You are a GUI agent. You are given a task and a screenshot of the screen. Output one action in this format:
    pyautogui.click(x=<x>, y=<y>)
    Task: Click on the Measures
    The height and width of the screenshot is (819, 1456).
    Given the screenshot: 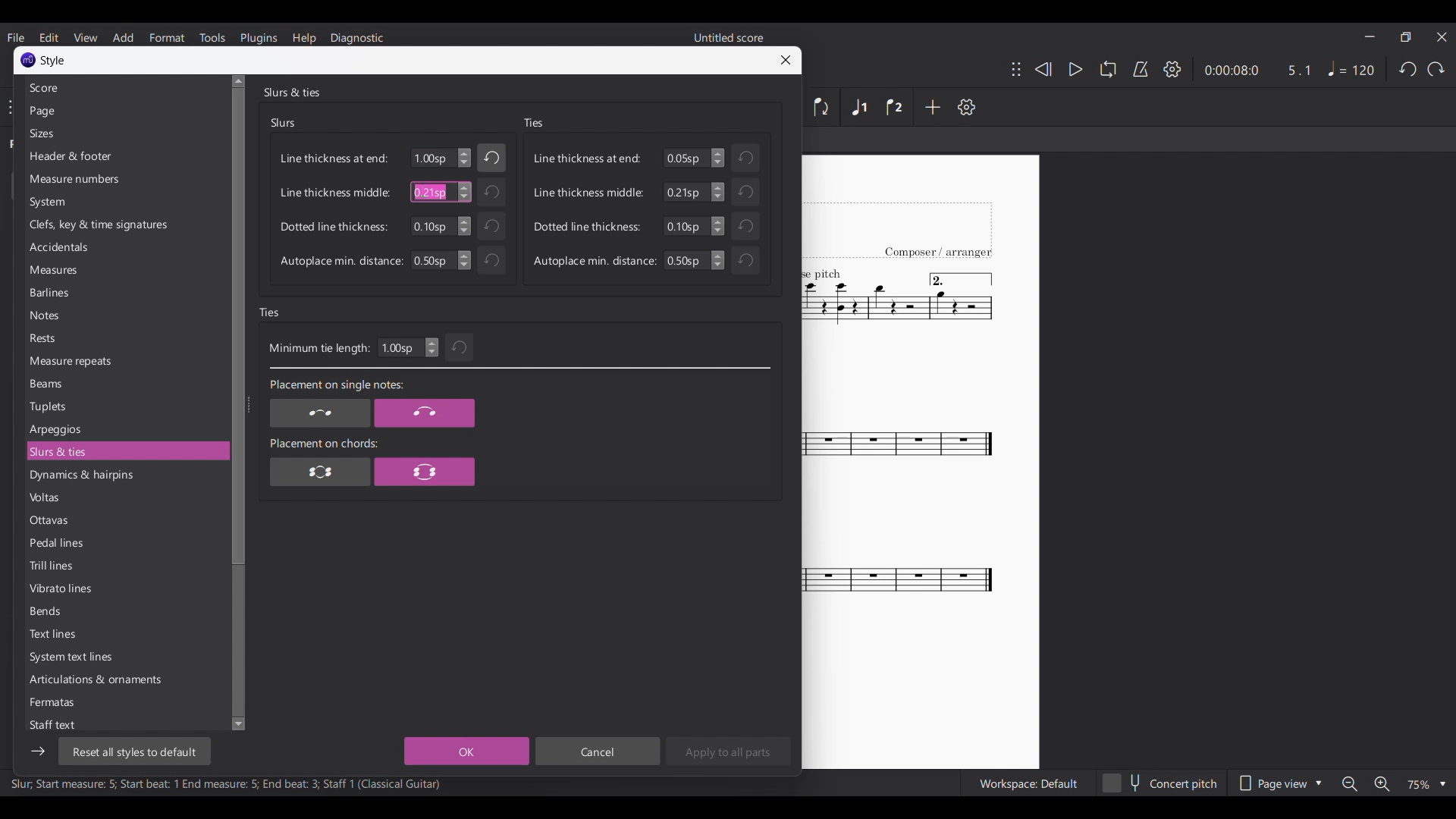 What is the action you would take?
    pyautogui.click(x=124, y=270)
    